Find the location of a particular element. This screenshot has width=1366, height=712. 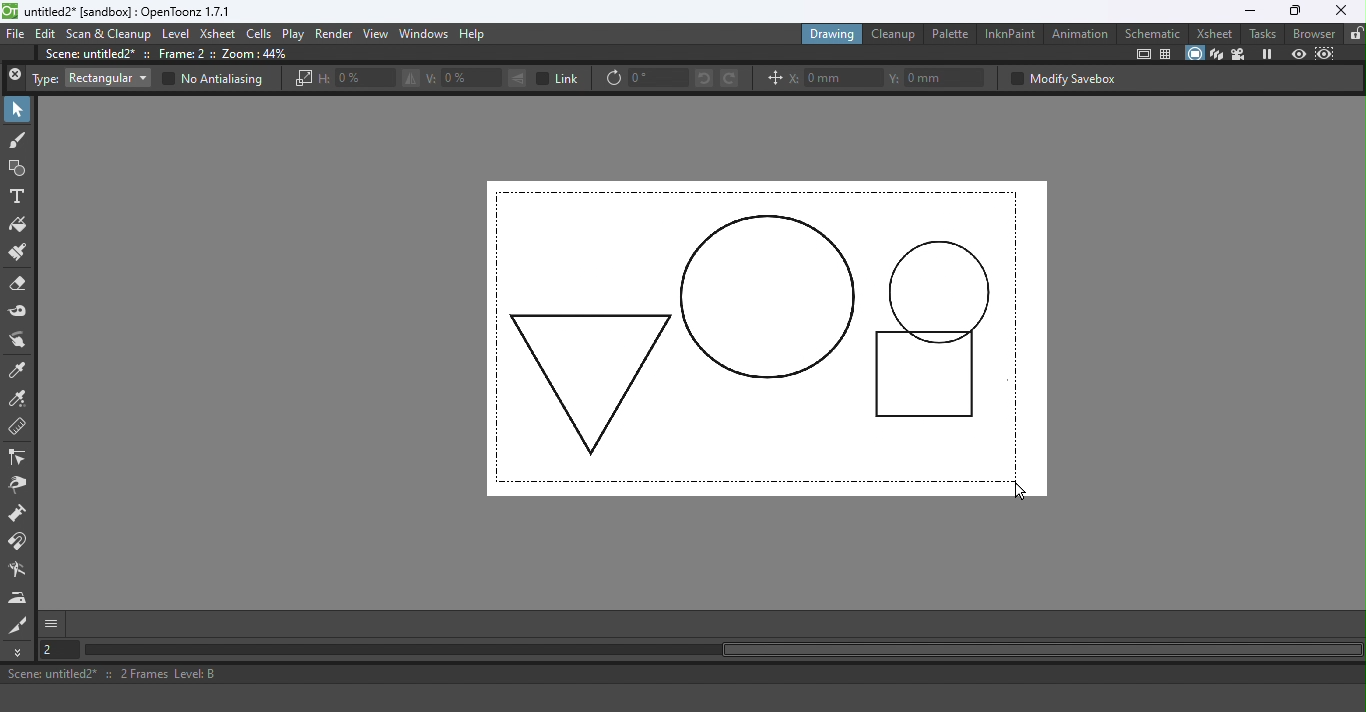

Tape tool is located at coordinates (19, 311).